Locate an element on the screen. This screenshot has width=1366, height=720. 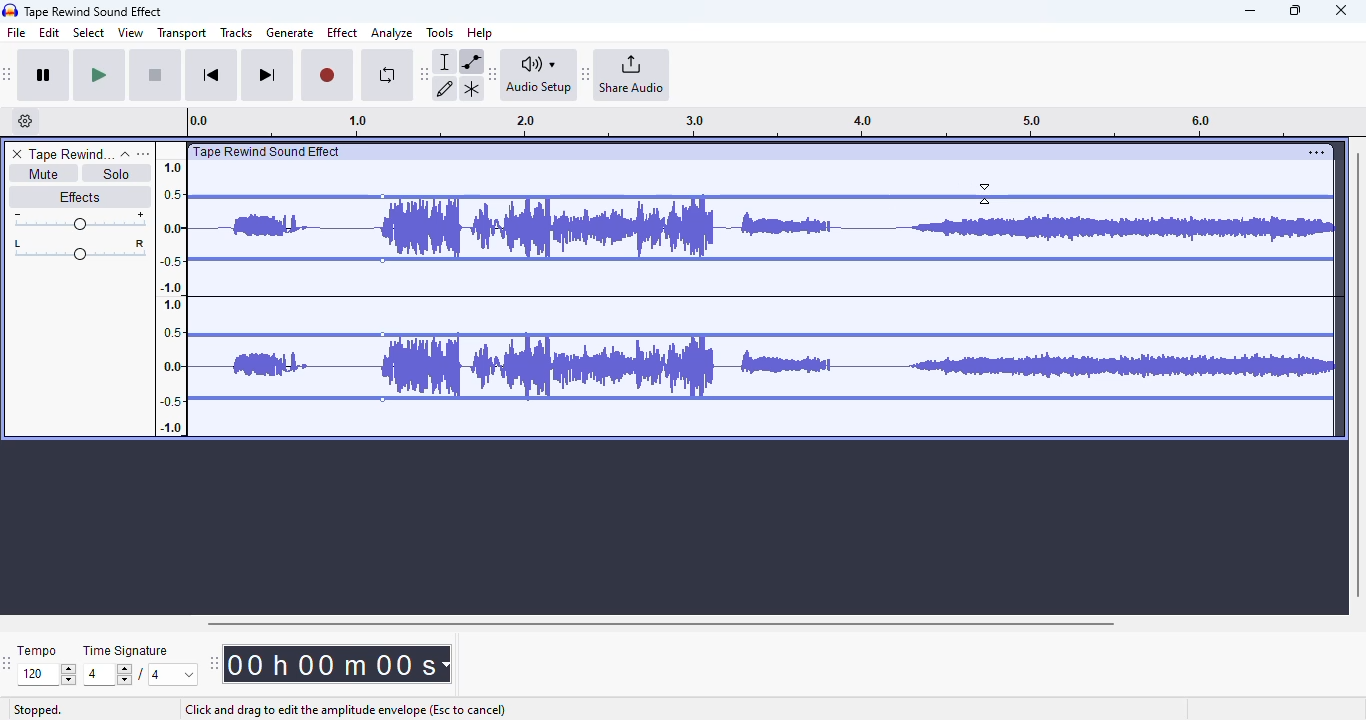
solo is located at coordinates (117, 173).